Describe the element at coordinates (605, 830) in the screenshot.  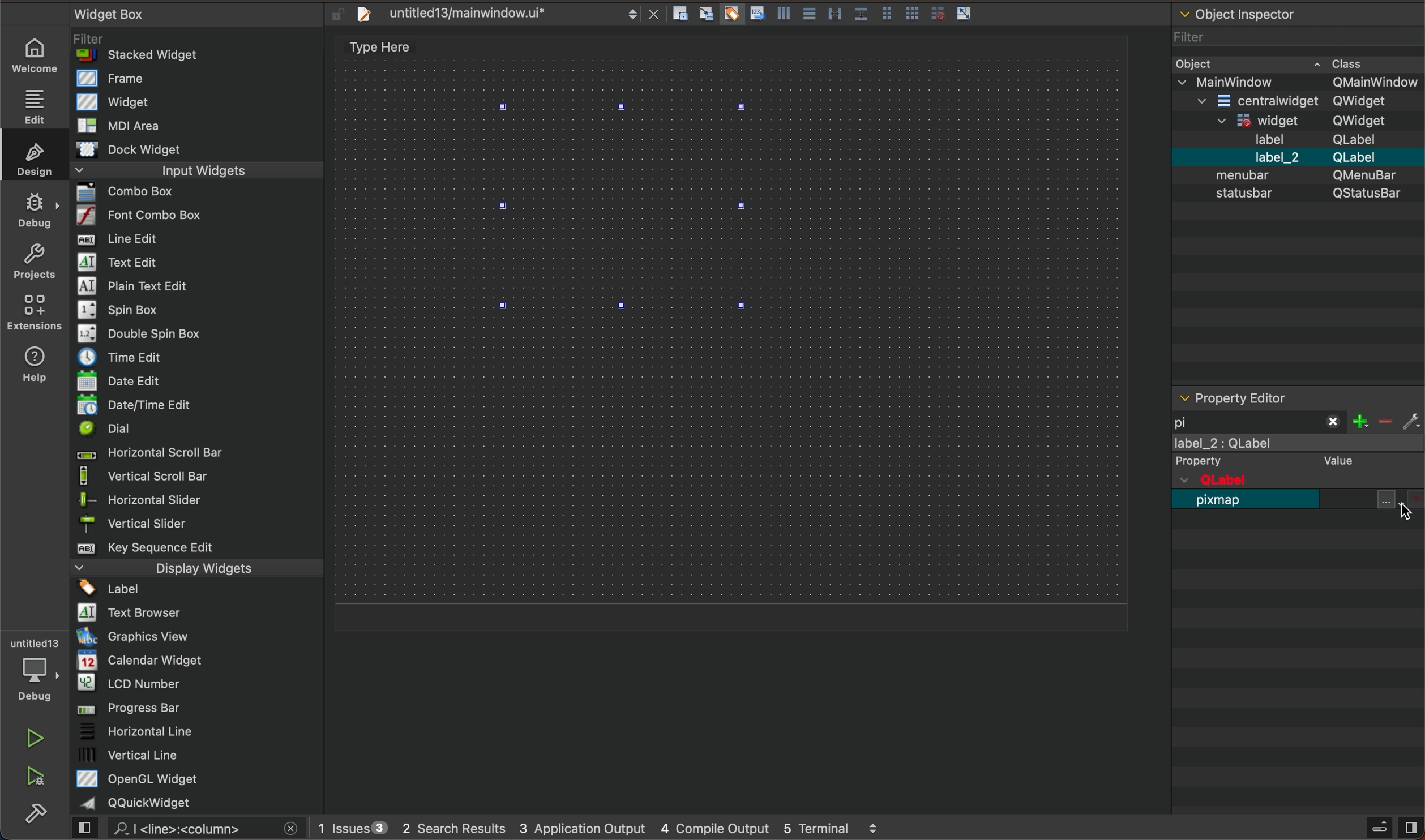
I see `logs` at that location.